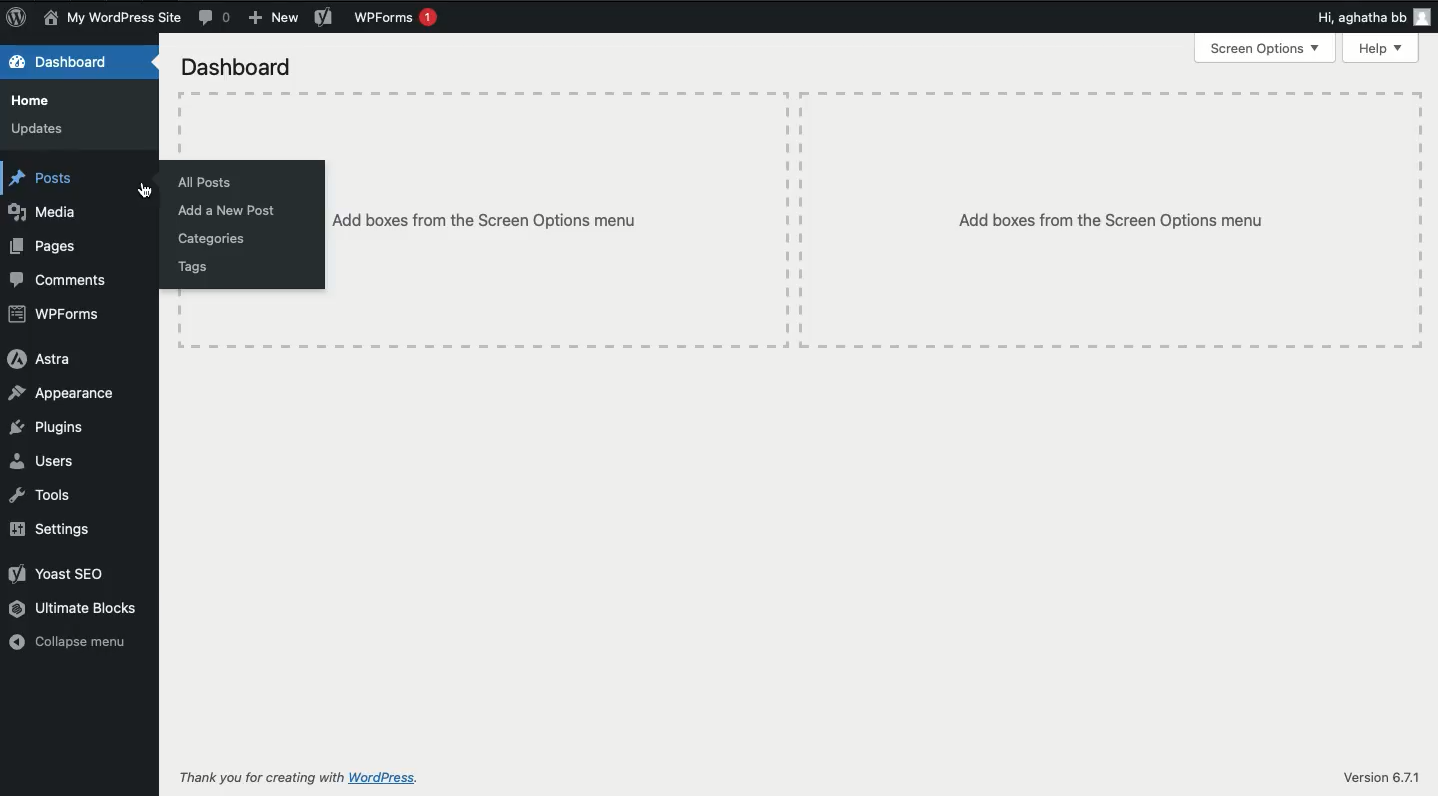 The width and height of the screenshot is (1438, 796). What do you see at coordinates (206, 182) in the screenshot?
I see `All posts` at bounding box center [206, 182].